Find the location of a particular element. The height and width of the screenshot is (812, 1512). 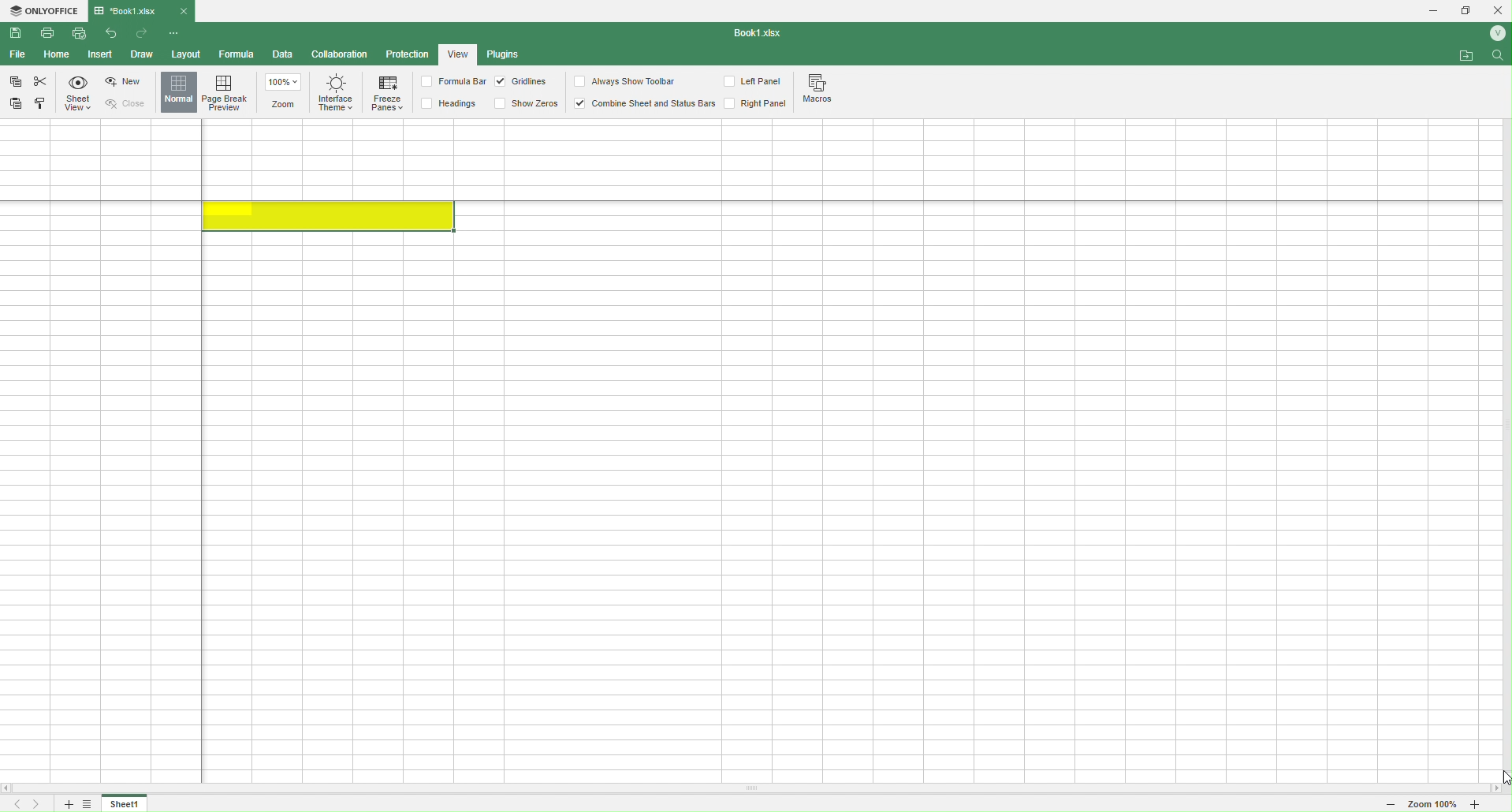

Data is located at coordinates (283, 56).